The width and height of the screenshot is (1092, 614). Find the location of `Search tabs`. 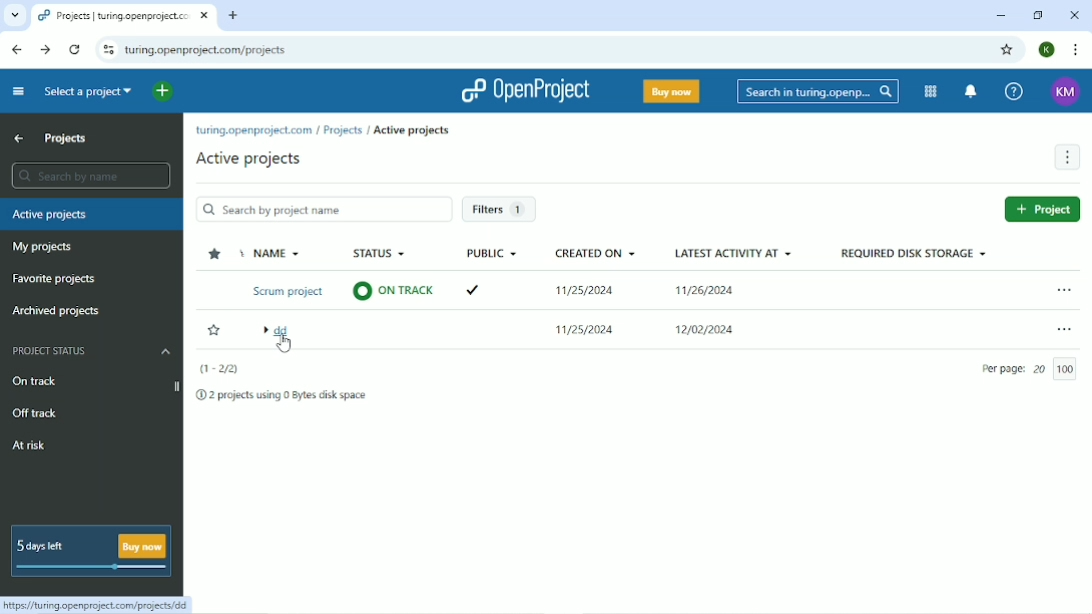

Search tabs is located at coordinates (12, 14).